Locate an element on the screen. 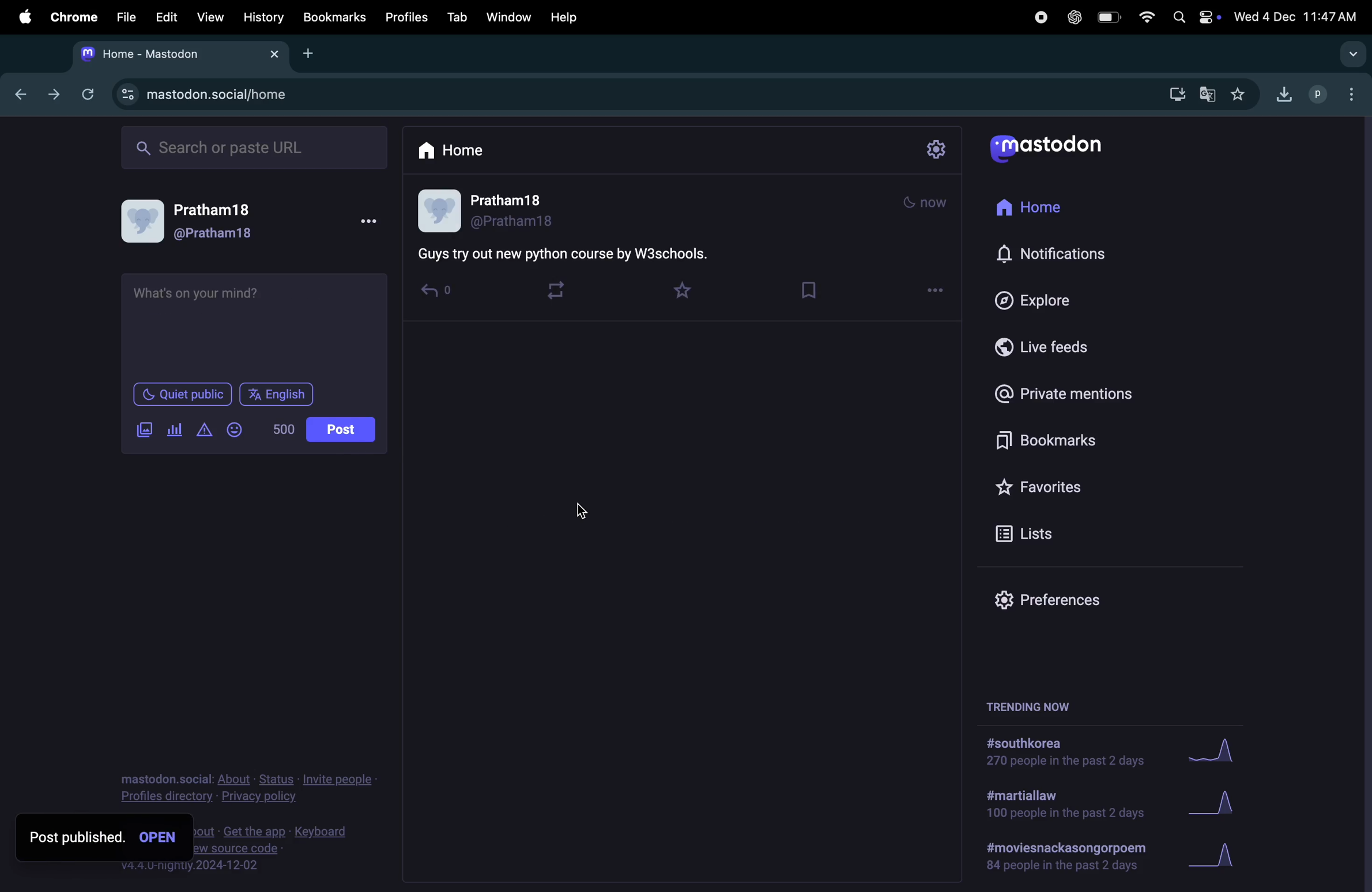 The width and height of the screenshot is (1372, 892). alert is located at coordinates (207, 429).